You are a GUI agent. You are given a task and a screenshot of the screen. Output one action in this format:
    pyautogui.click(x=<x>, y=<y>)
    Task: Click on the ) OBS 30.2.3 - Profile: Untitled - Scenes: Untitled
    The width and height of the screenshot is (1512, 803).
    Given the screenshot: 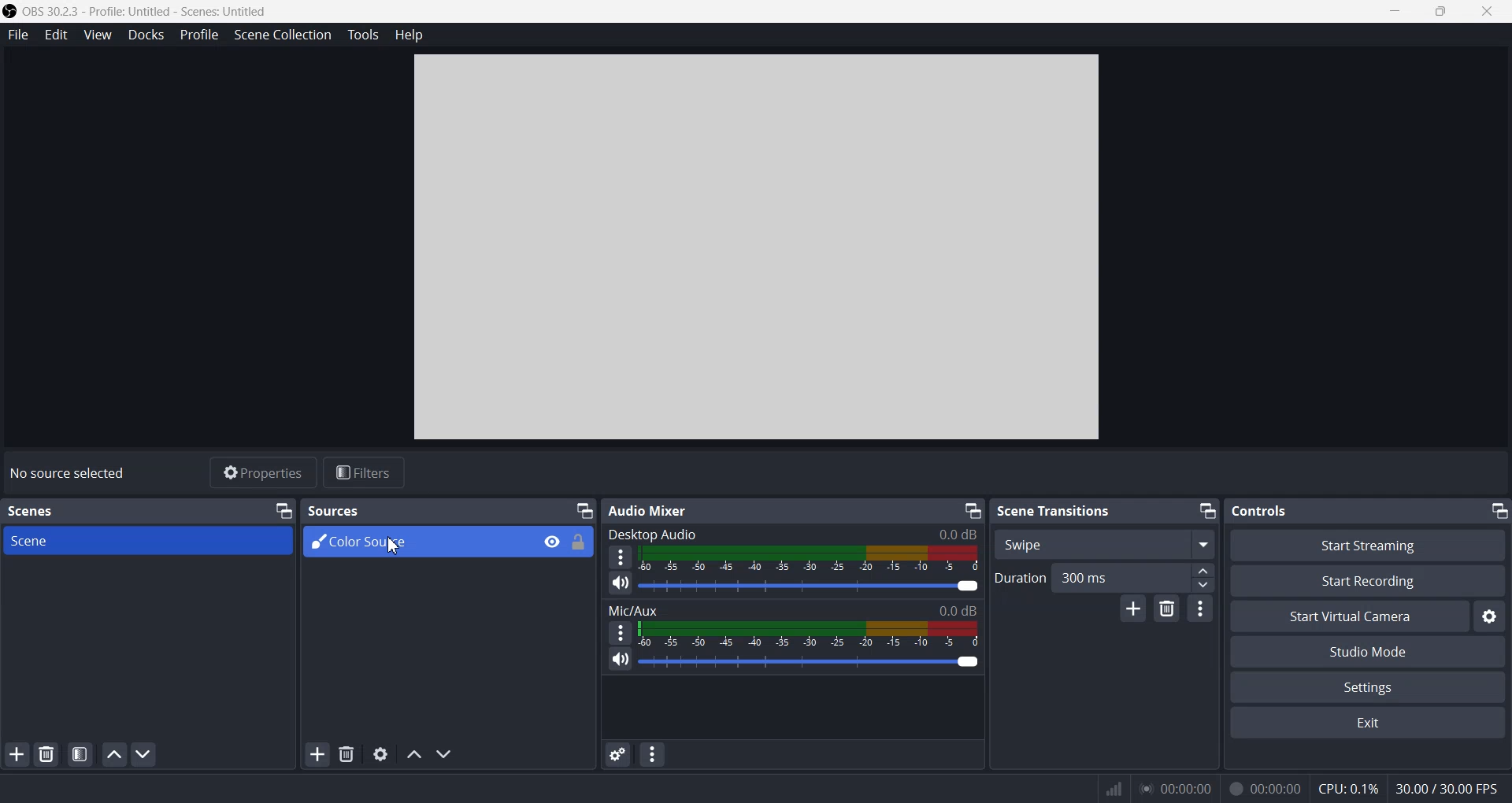 What is the action you would take?
    pyautogui.click(x=142, y=10)
    